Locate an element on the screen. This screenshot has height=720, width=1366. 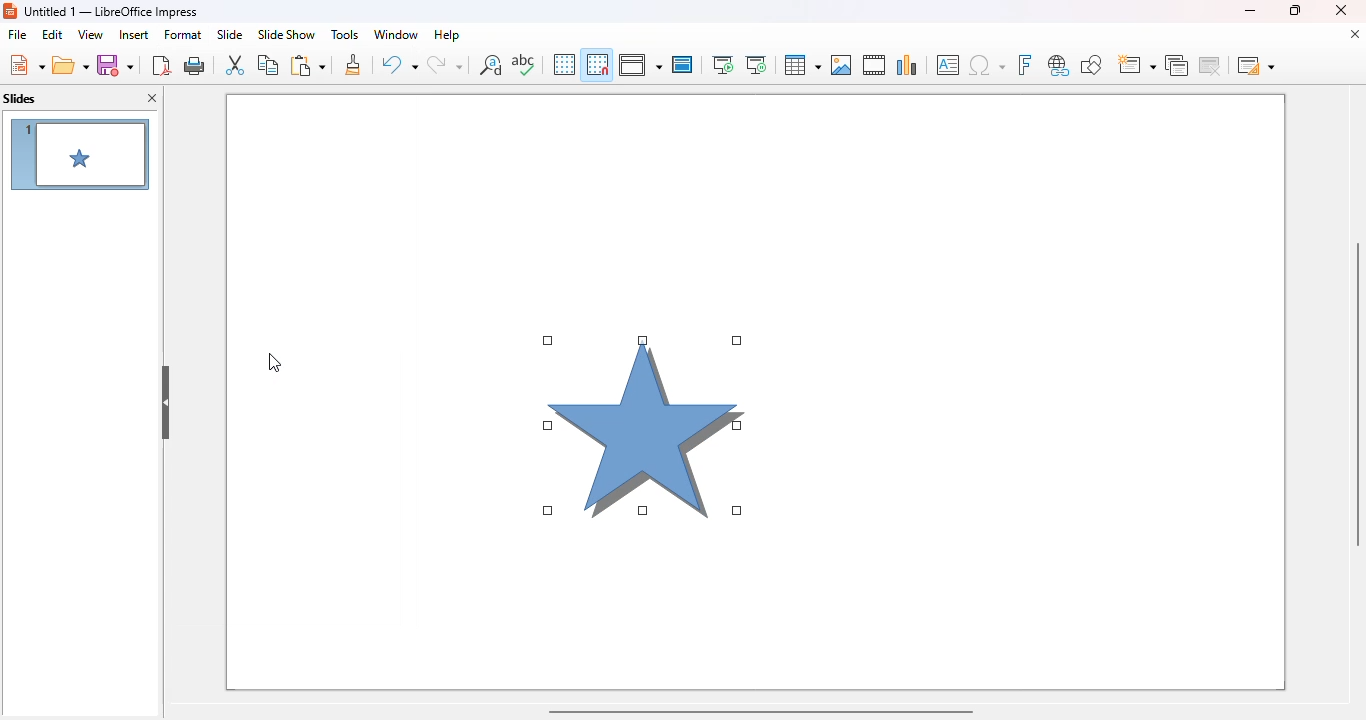
shadow effect added to inserted shape is located at coordinates (642, 424).